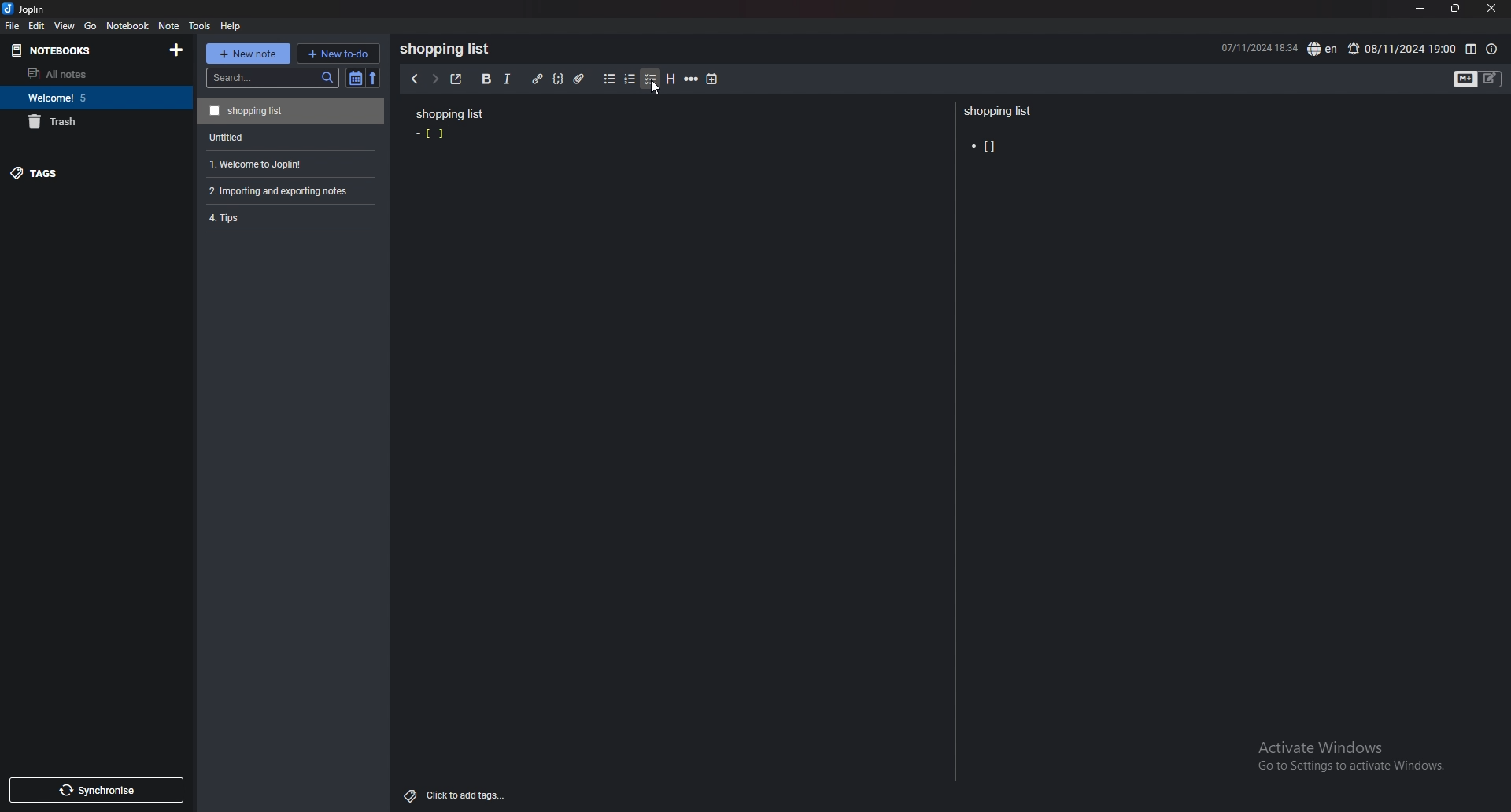 This screenshot has height=812, width=1511. Describe the element at coordinates (13, 26) in the screenshot. I see `file` at that location.